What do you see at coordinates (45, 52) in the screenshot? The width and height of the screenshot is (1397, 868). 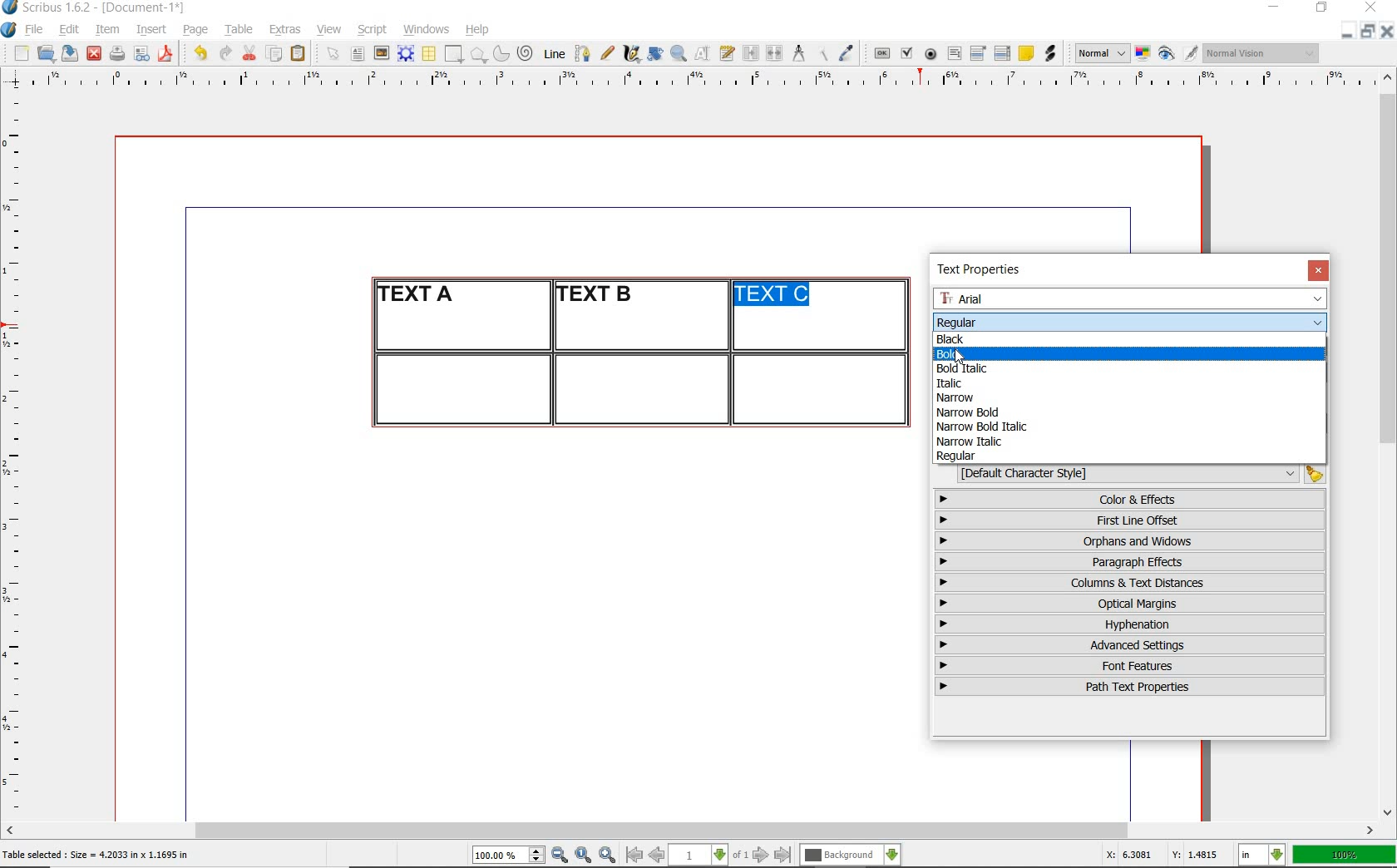 I see `open` at bounding box center [45, 52].